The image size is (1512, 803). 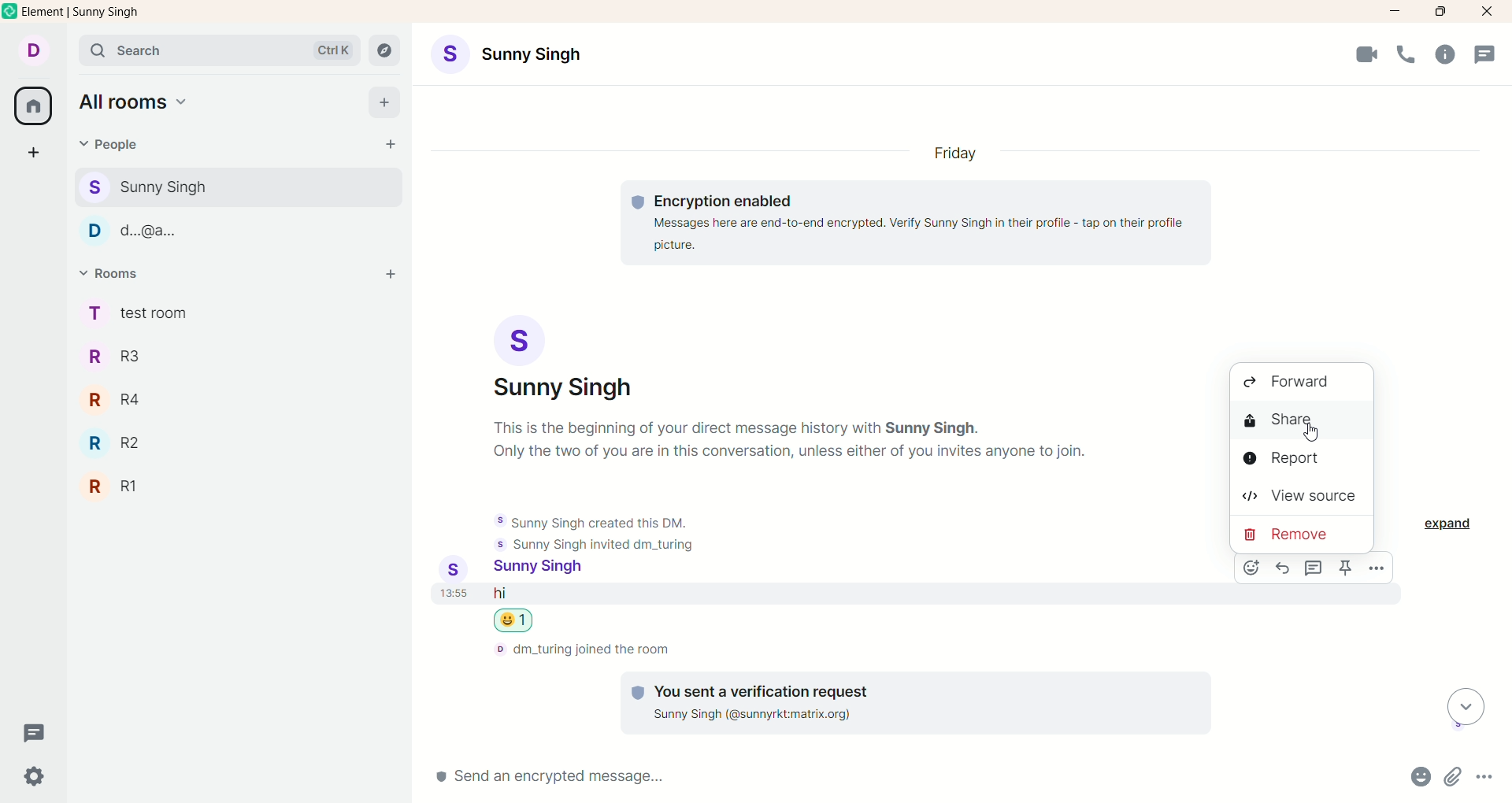 What do you see at coordinates (905, 702) in the screenshot?
I see `text` at bounding box center [905, 702].